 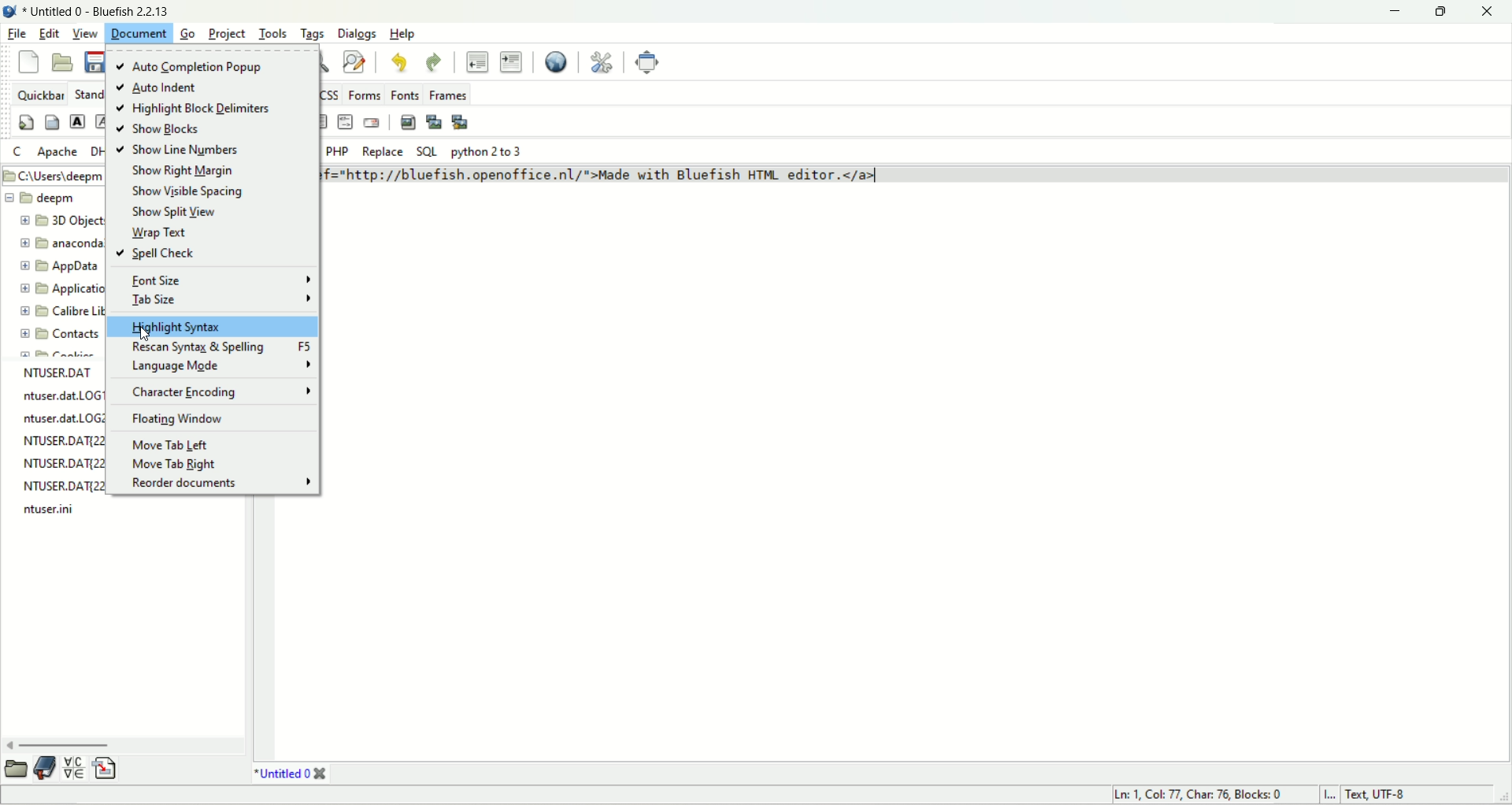 What do you see at coordinates (86, 35) in the screenshot?
I see `view` at bounding box center [86, 35].